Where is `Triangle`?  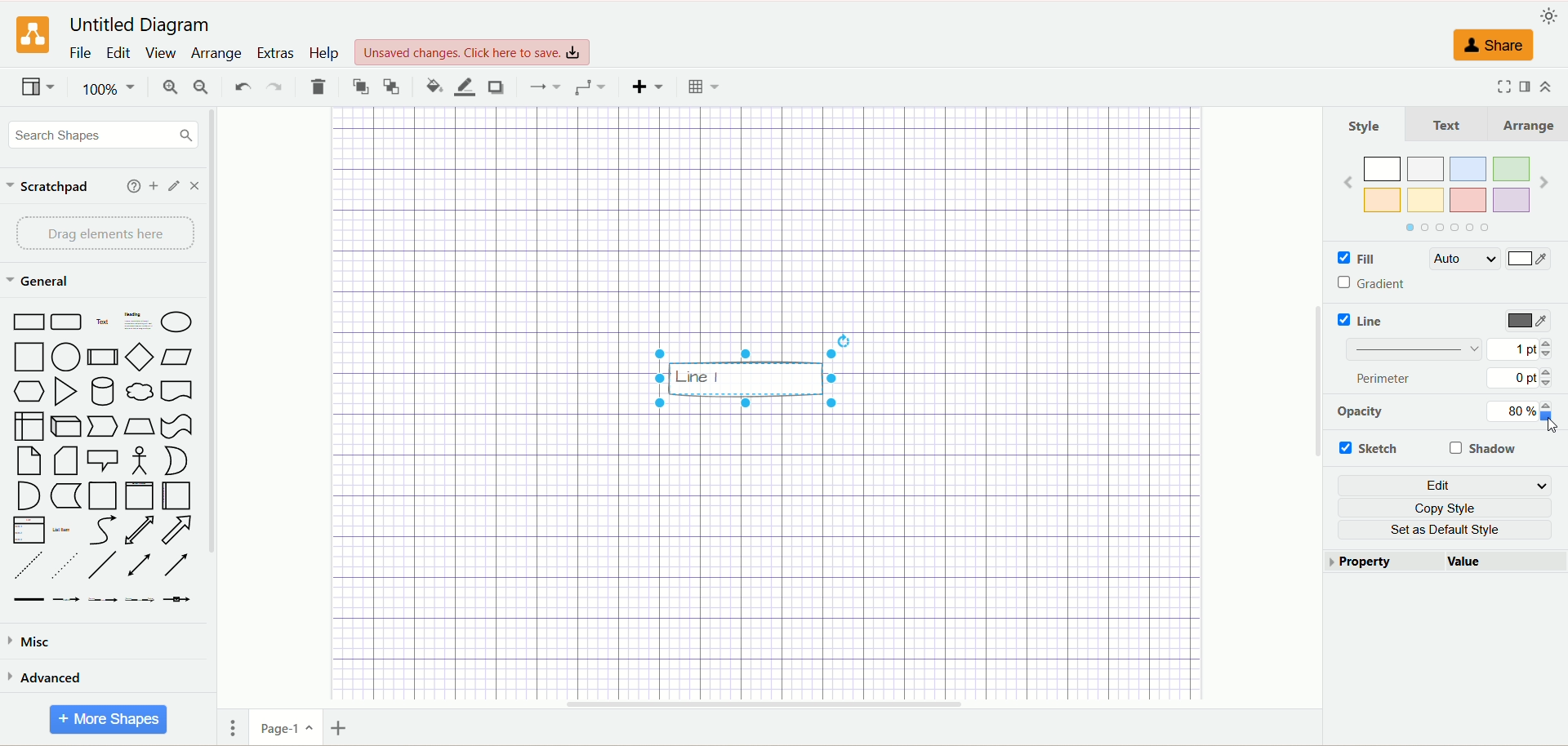 Triangle is located at coordinates (65, 392).